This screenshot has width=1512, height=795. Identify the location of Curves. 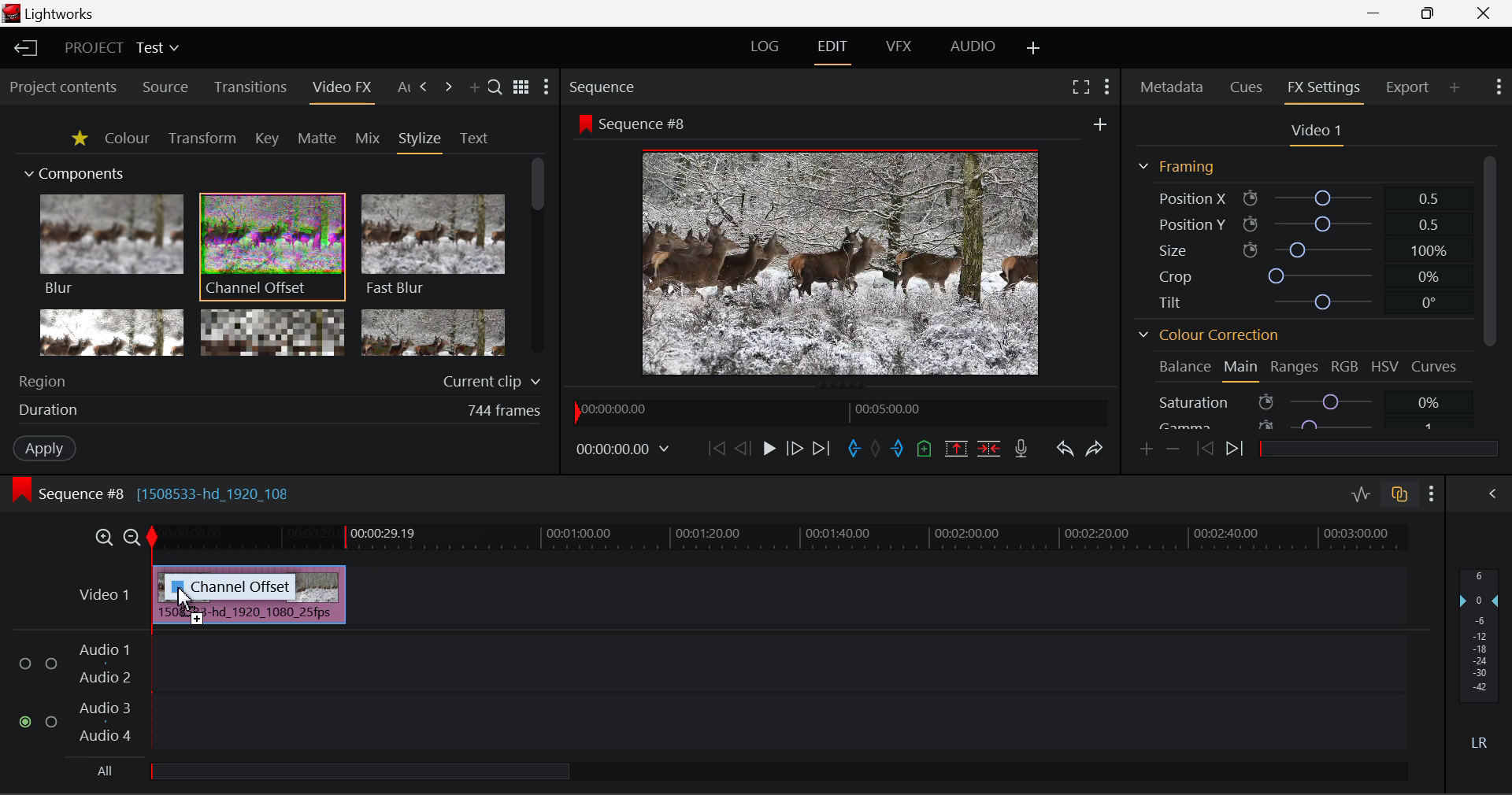
(1436, 366).